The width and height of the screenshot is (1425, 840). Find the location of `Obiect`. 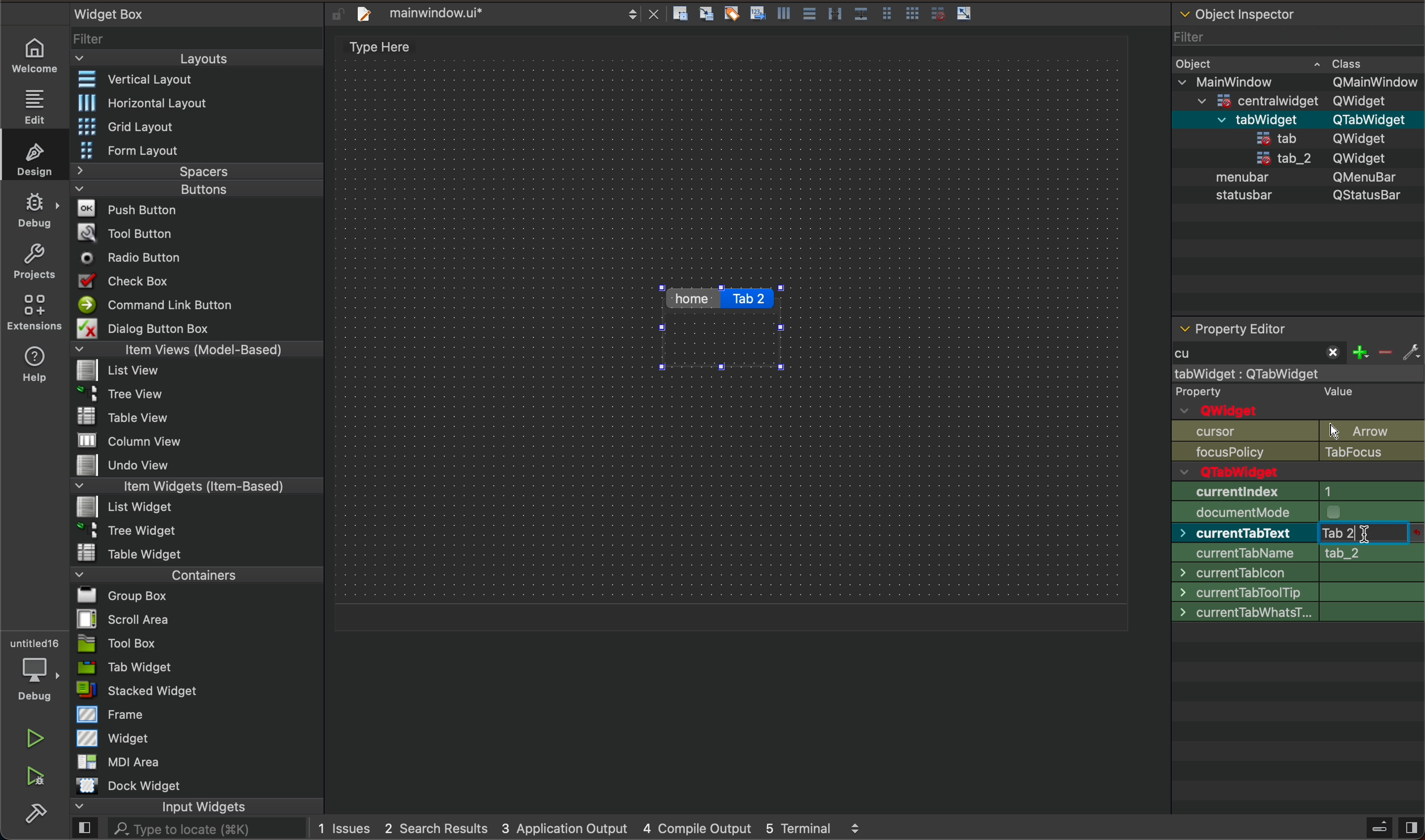

Obiect is located at coordinates (1194, 61).